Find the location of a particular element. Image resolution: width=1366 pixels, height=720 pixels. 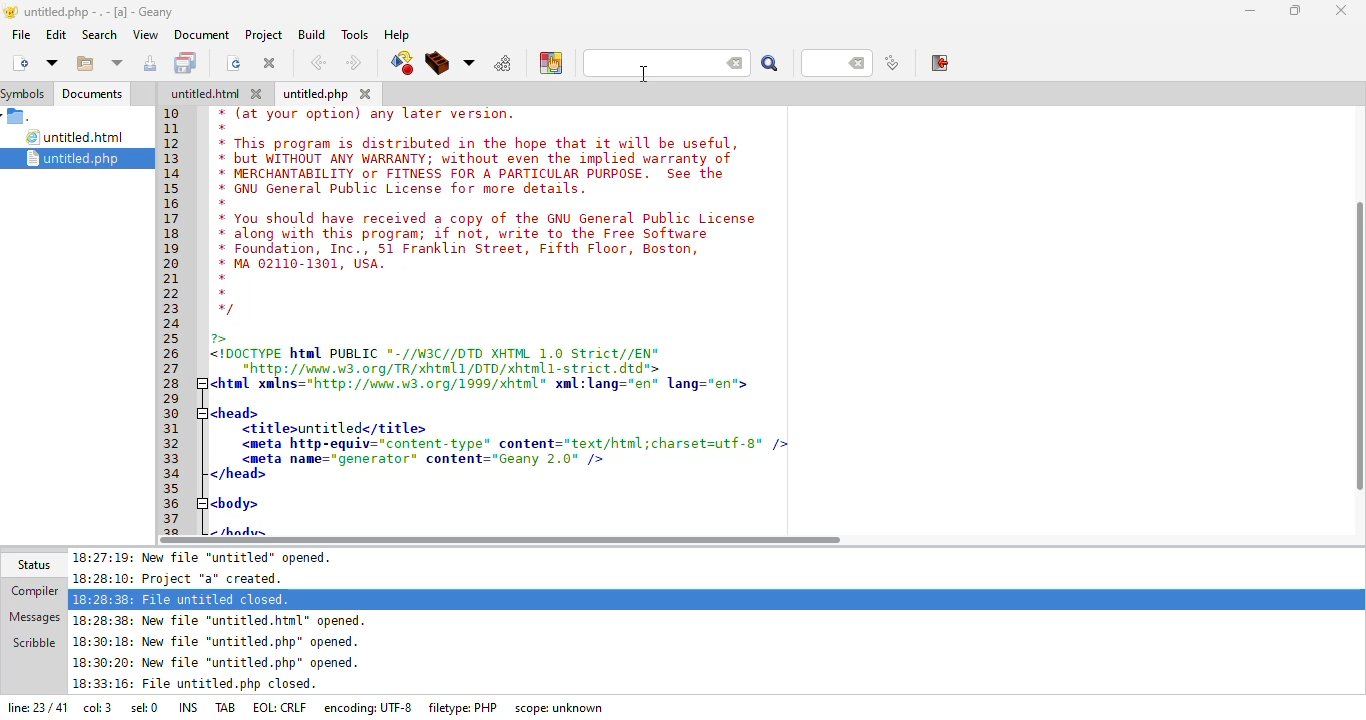

18:28:38: File untitled closed. is located at coordinates (183, 598).